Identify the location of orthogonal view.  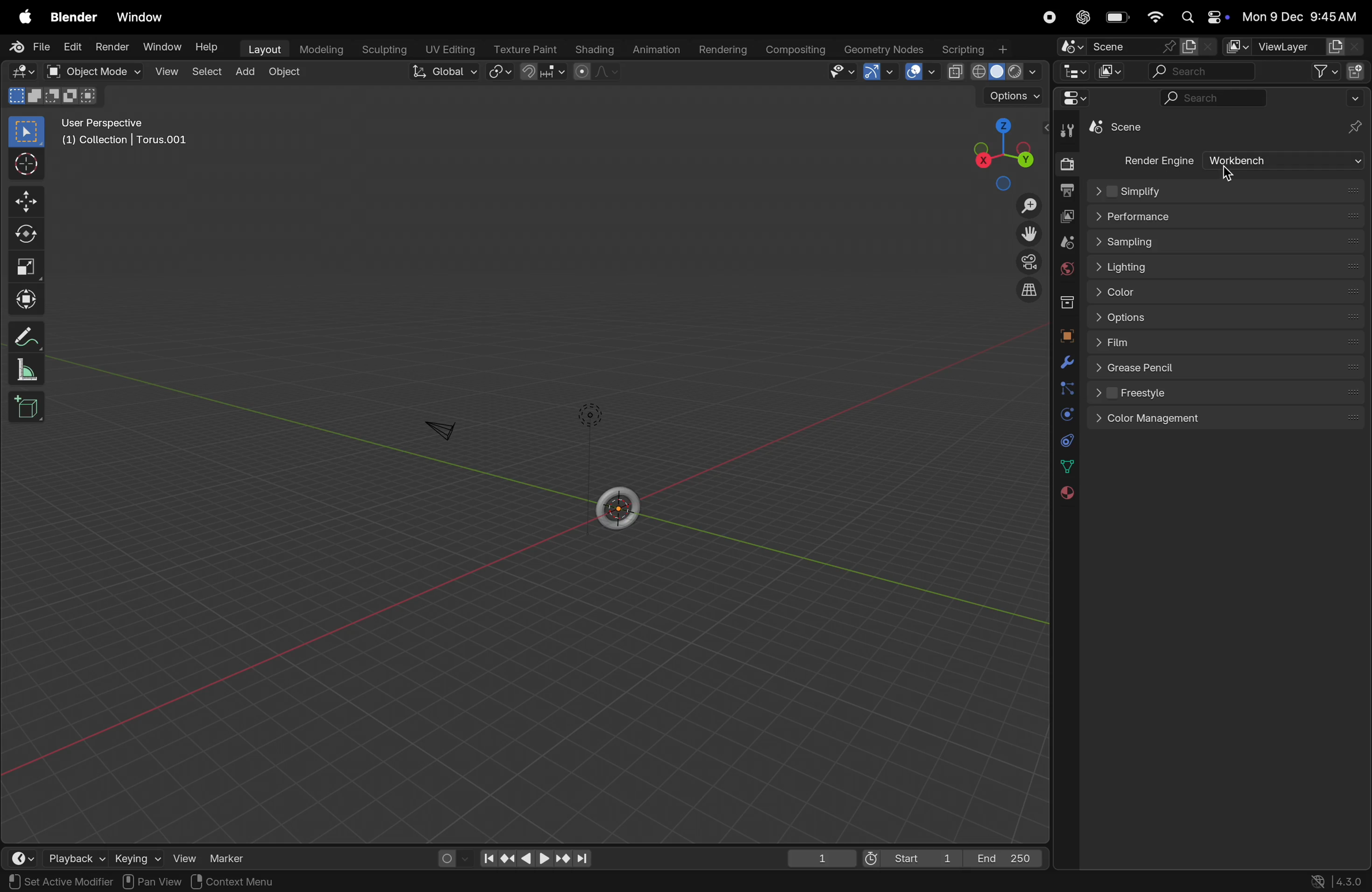
(1032, 294).